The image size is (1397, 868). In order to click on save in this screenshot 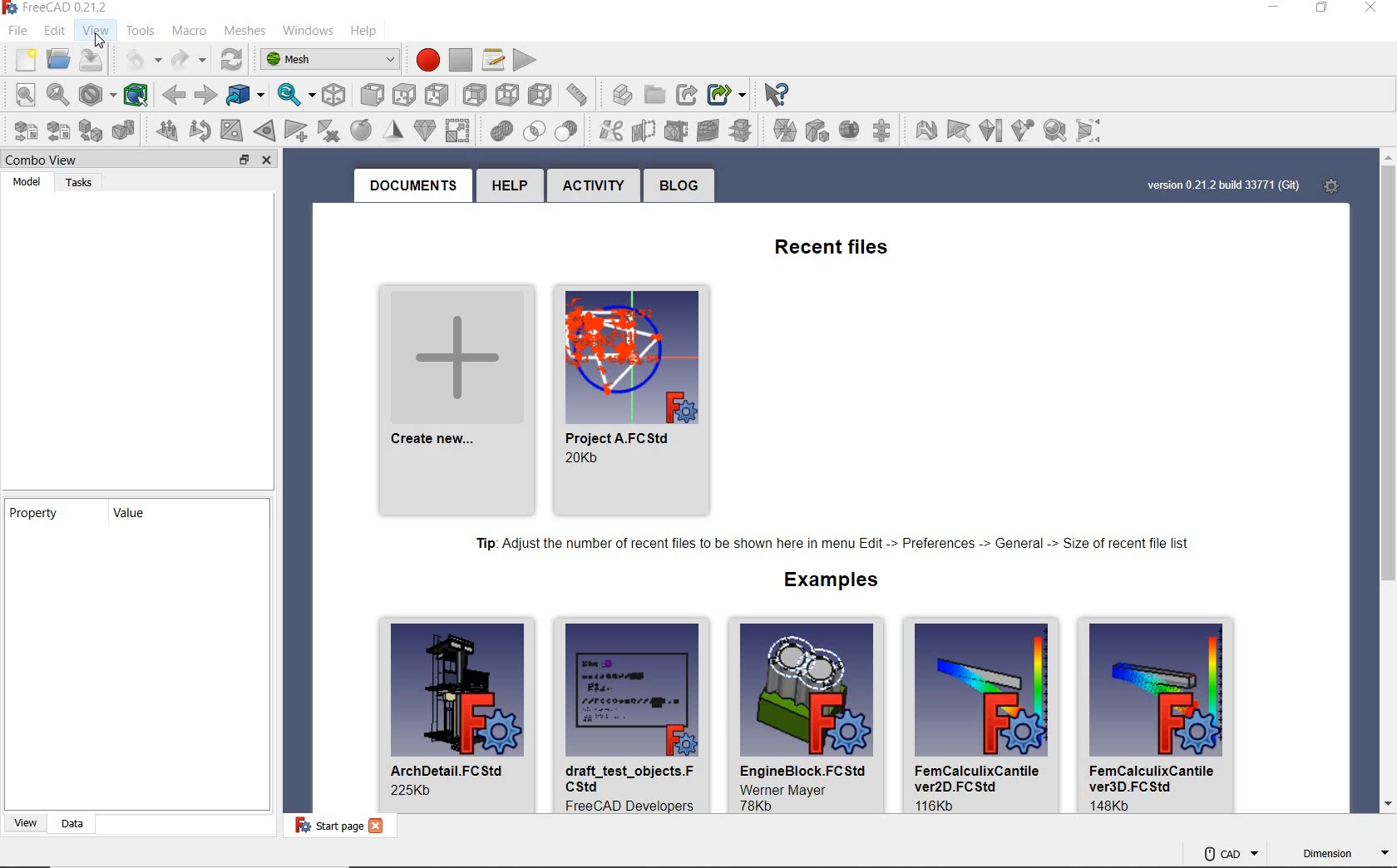, I will do `click(86, 57)`.